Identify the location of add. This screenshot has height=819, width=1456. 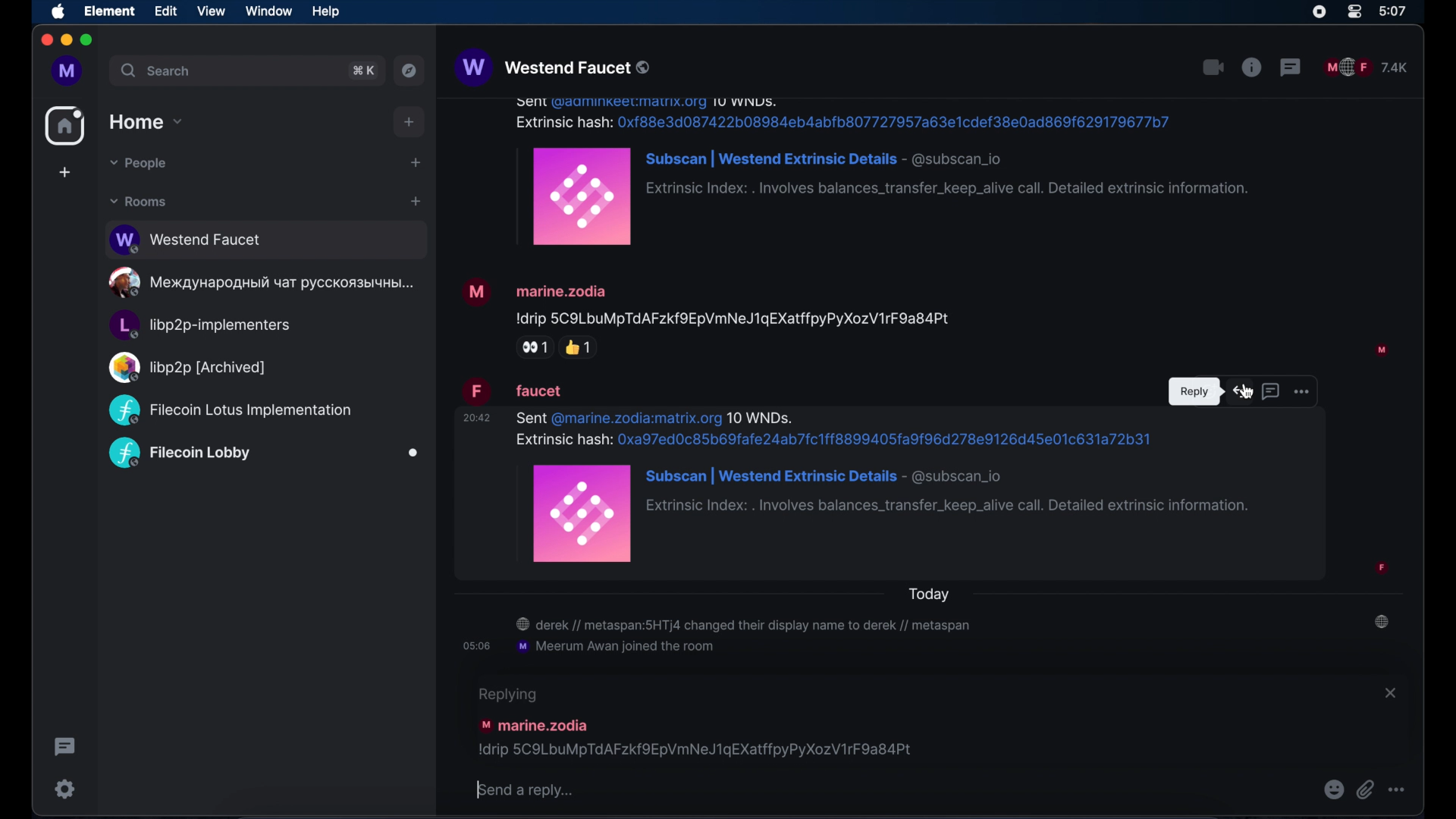
(409, 121).